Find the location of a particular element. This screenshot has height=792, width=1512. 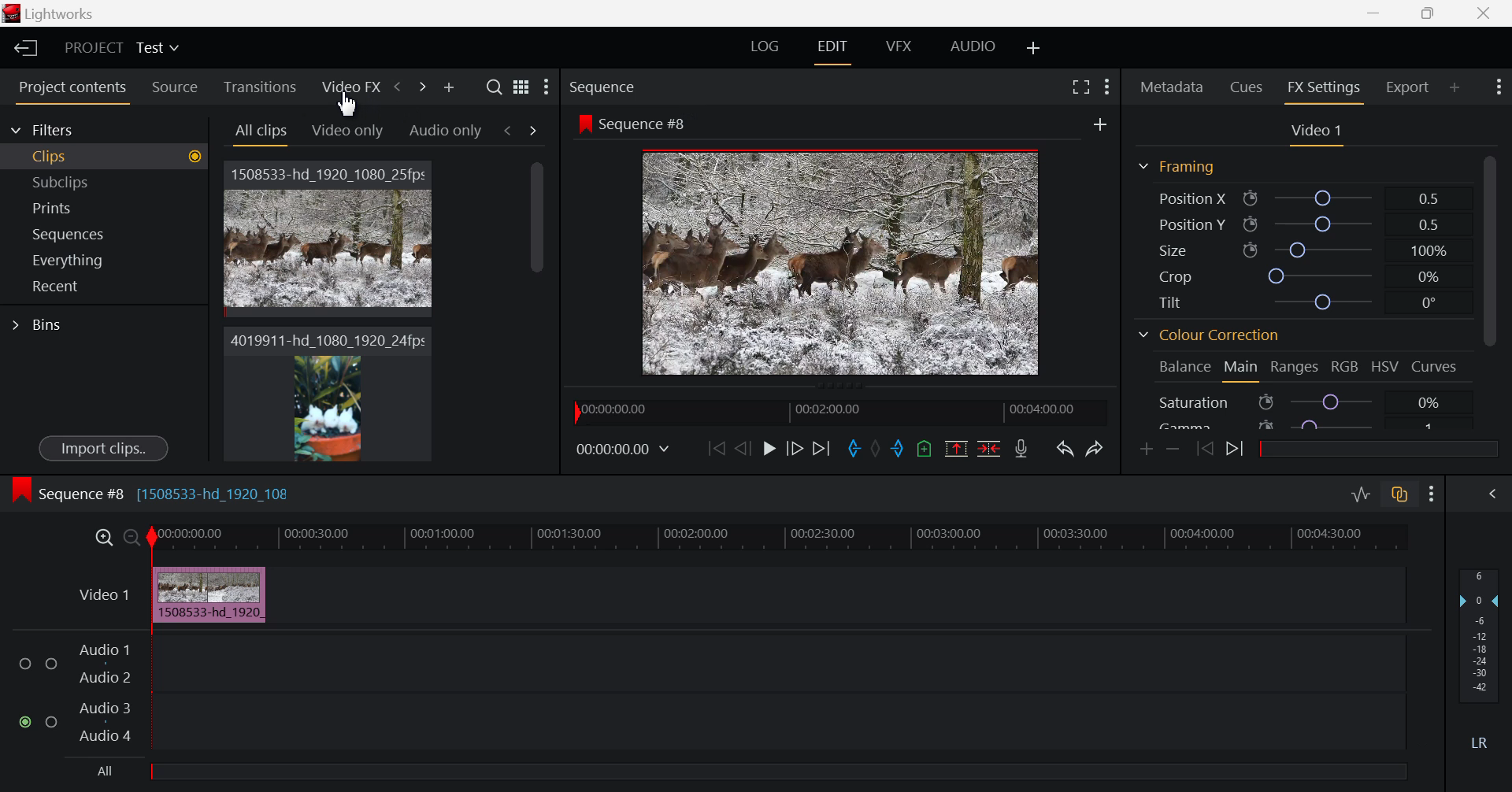

AUDIO is located at coordinates (973, 50).